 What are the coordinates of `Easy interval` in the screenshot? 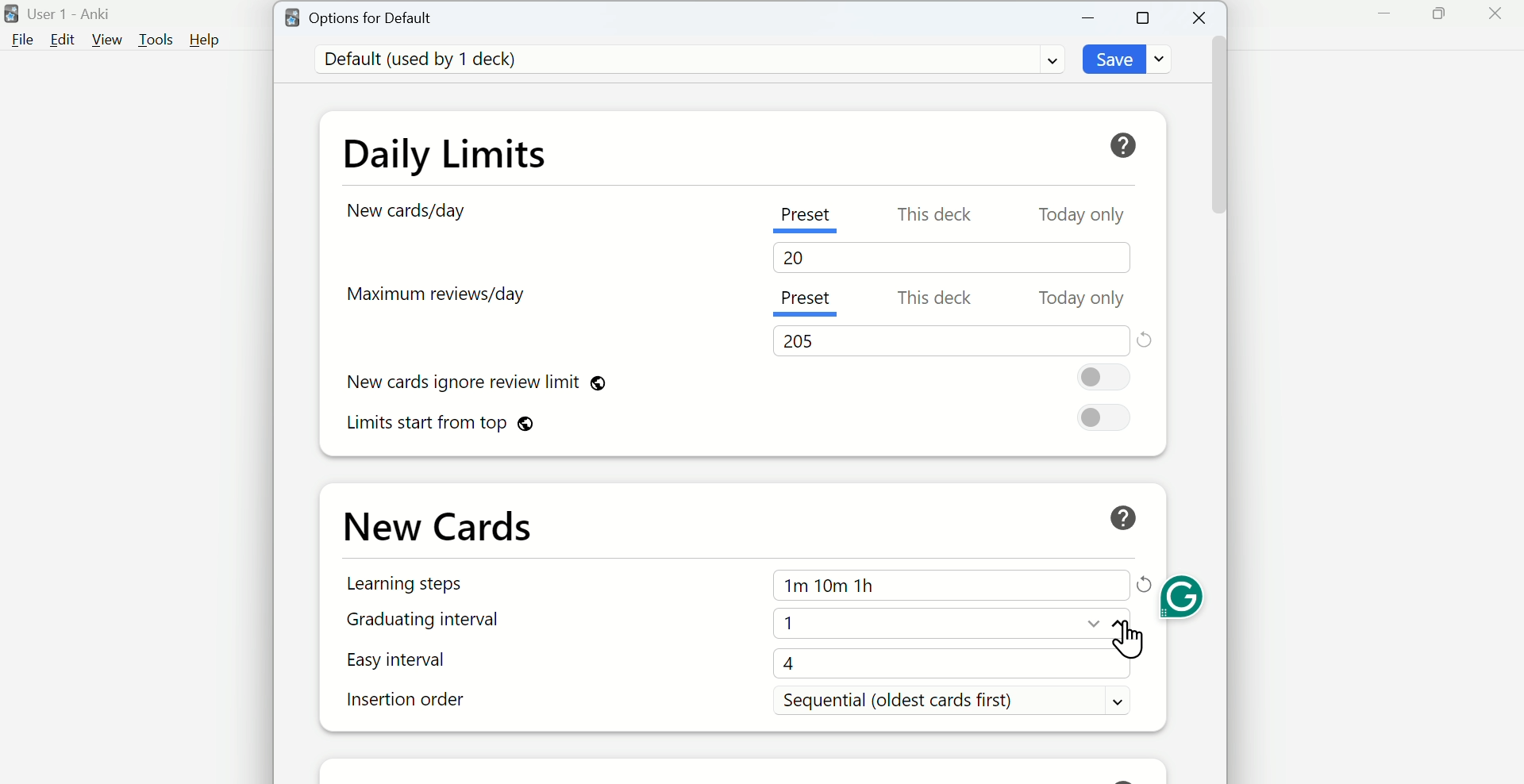 It's located at (415, 663).